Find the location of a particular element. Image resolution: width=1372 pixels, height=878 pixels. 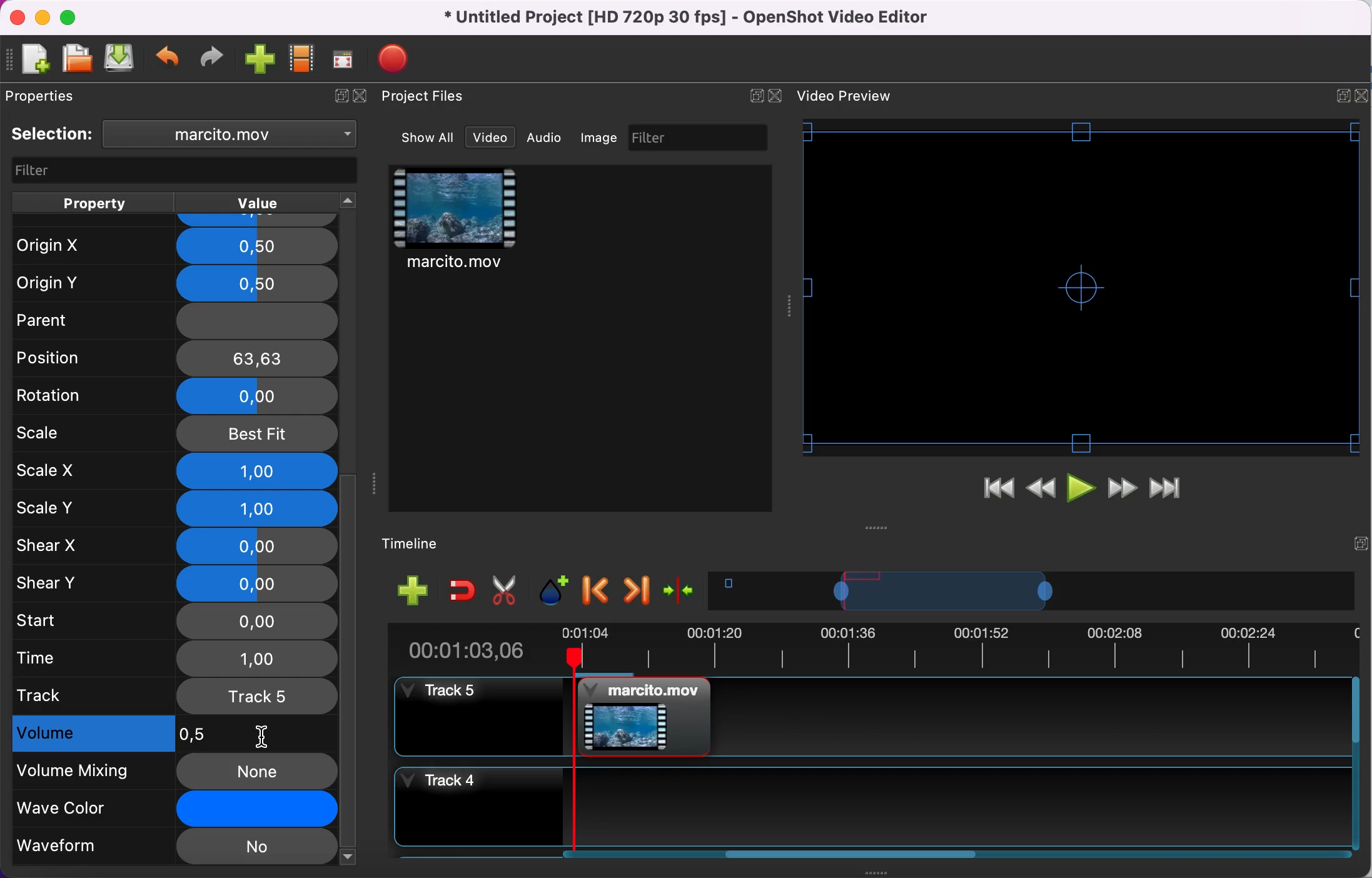

filter is located at coordinates (186, 171).